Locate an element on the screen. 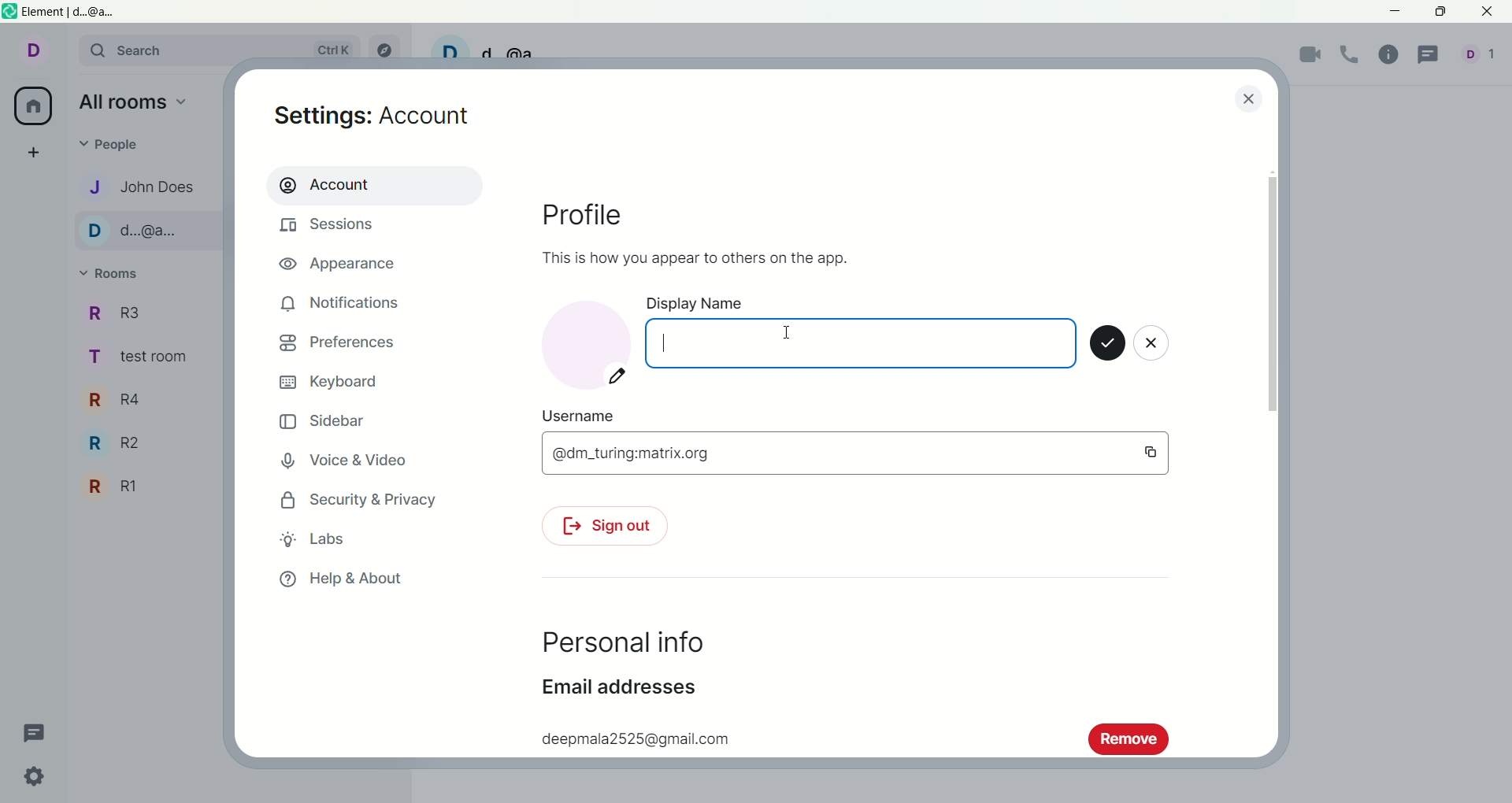 This screenshot has width=1512, height=803. close is located at coordinates (1154, 346).